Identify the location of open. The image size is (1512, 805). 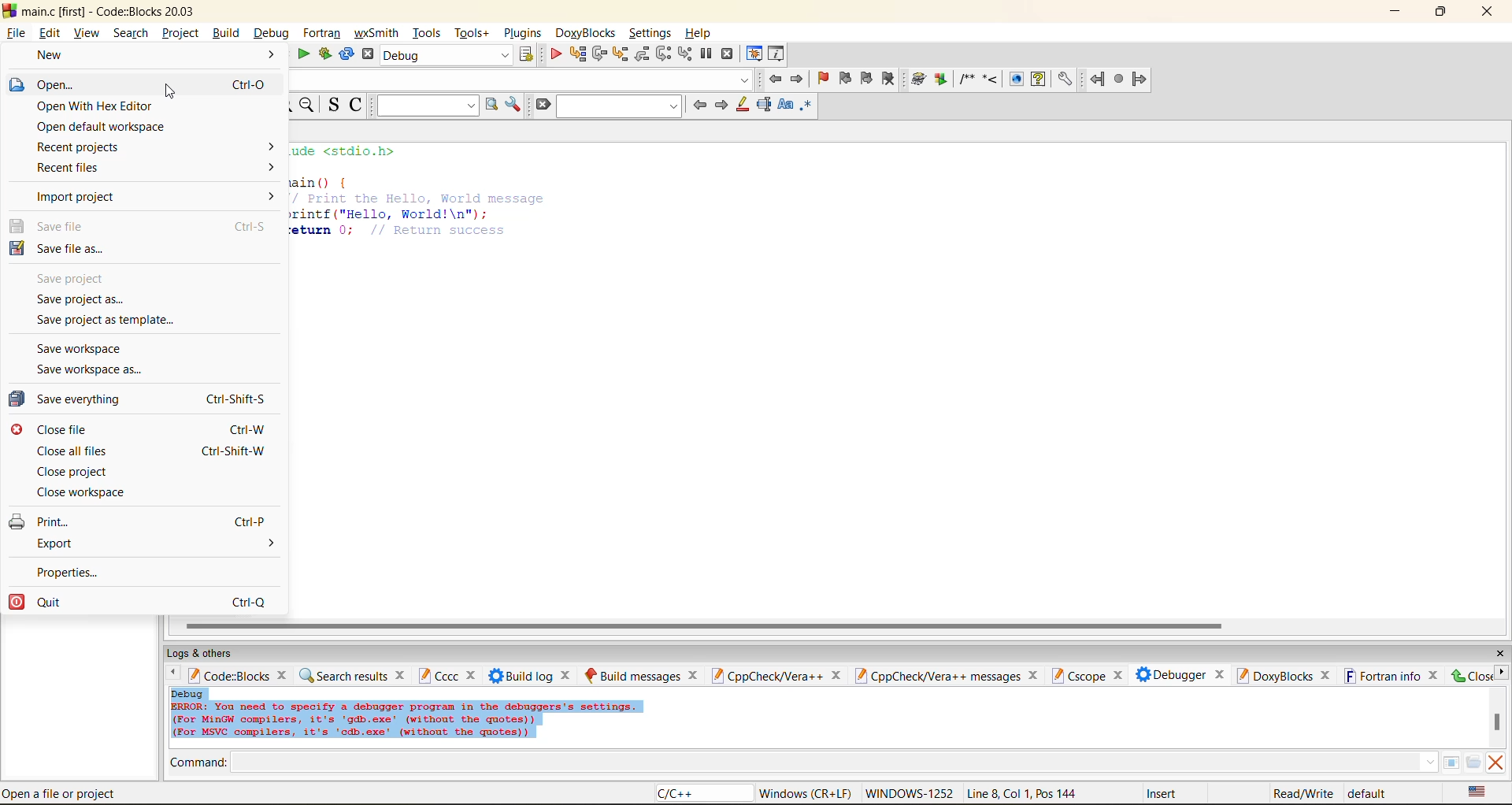
(153, 83).